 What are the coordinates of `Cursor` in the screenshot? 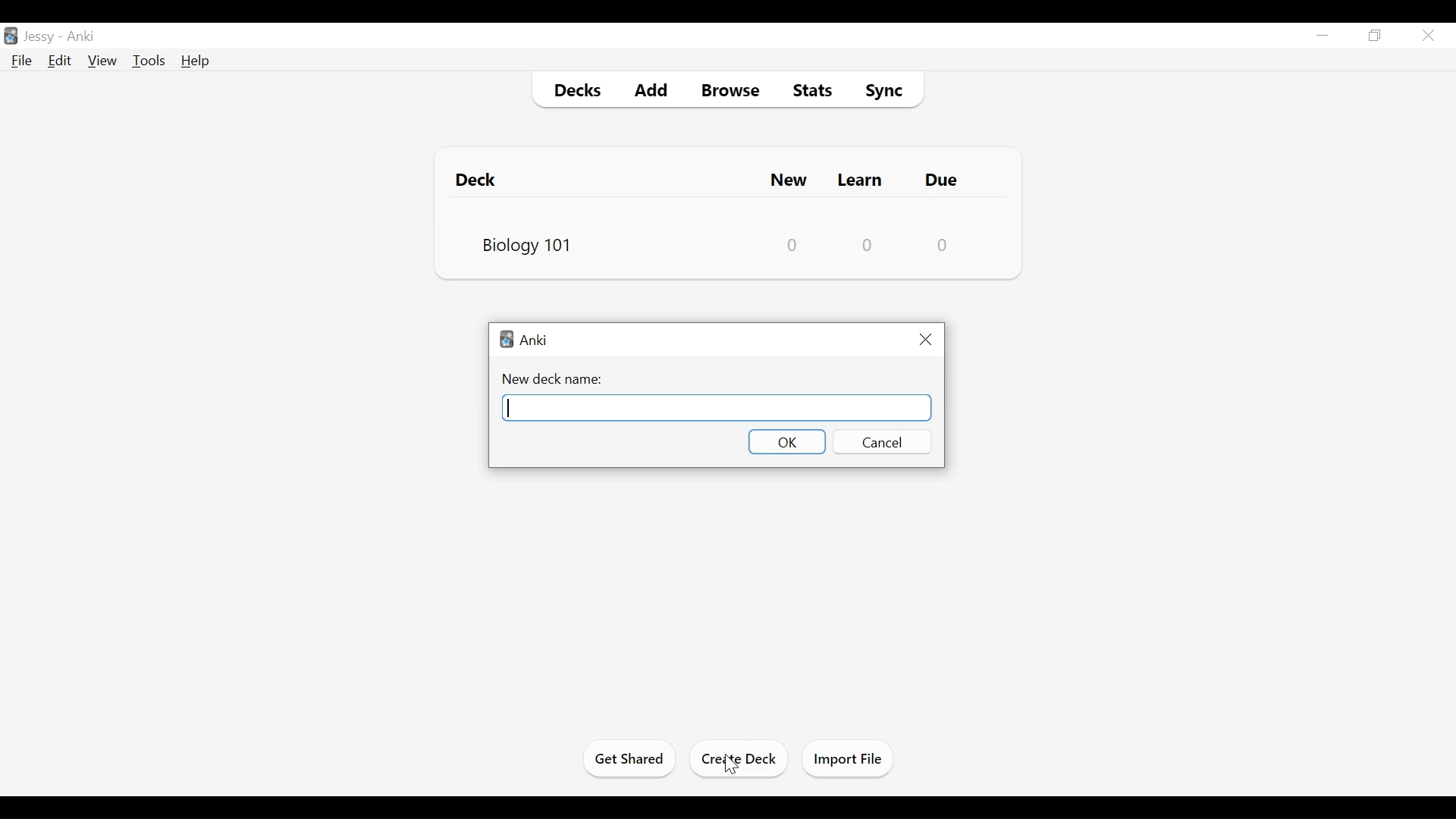 It's located at (732, 766).